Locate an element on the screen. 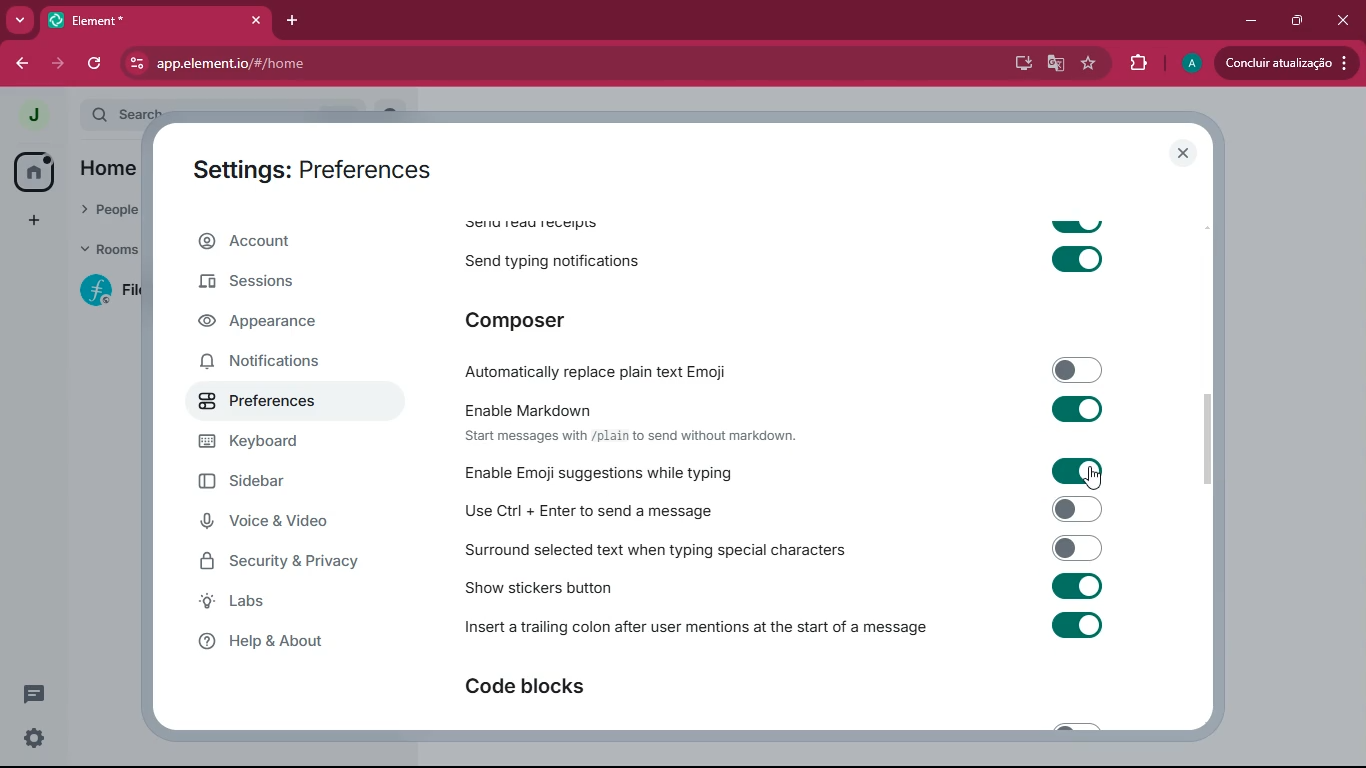 The width and height of the screenshot is (1366, 768). sessions is located at coordinates (268, 285).